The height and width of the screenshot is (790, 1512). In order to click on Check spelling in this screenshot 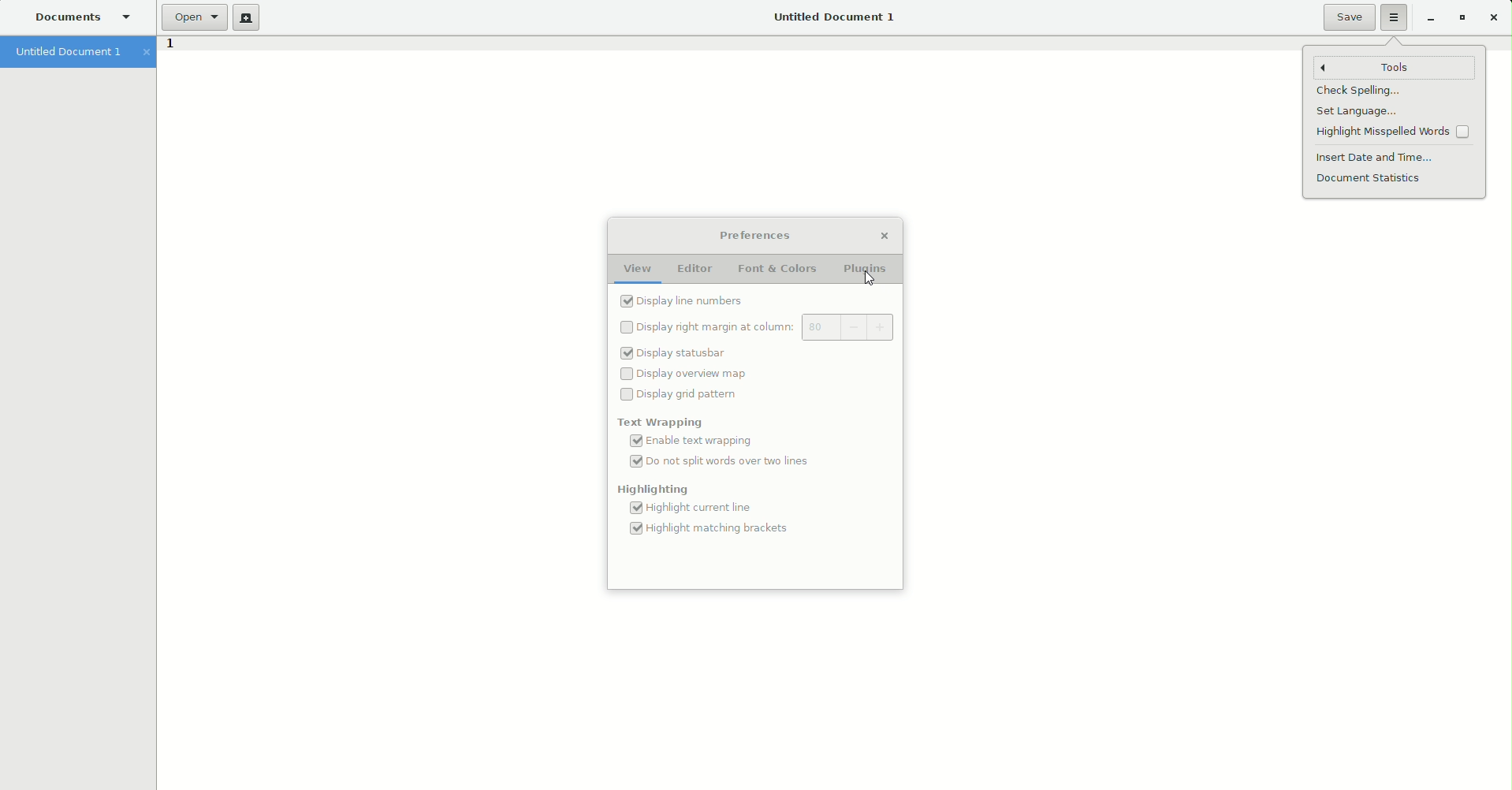, I will do `click(1358, 92)`.